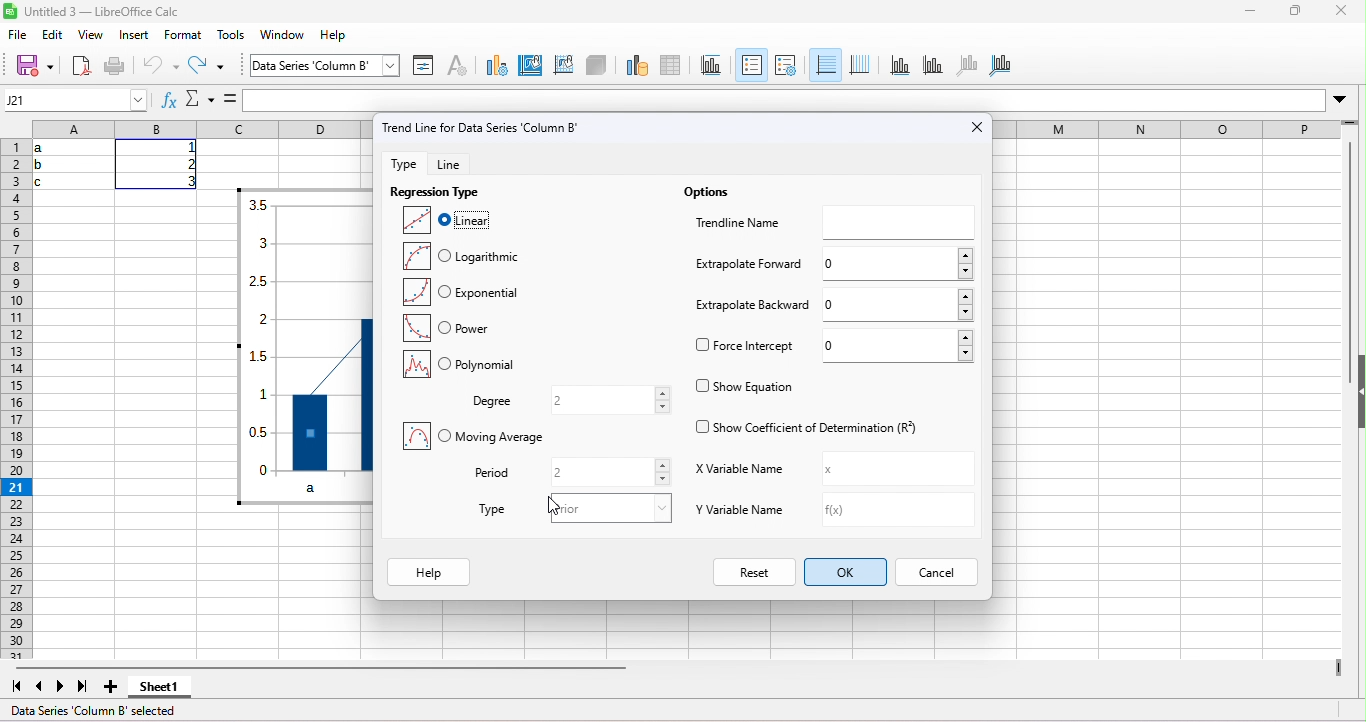  What do you see at coordinates (1244, 12) in the screenshot?
I see `minimize` at bounding box center [1244, 12].